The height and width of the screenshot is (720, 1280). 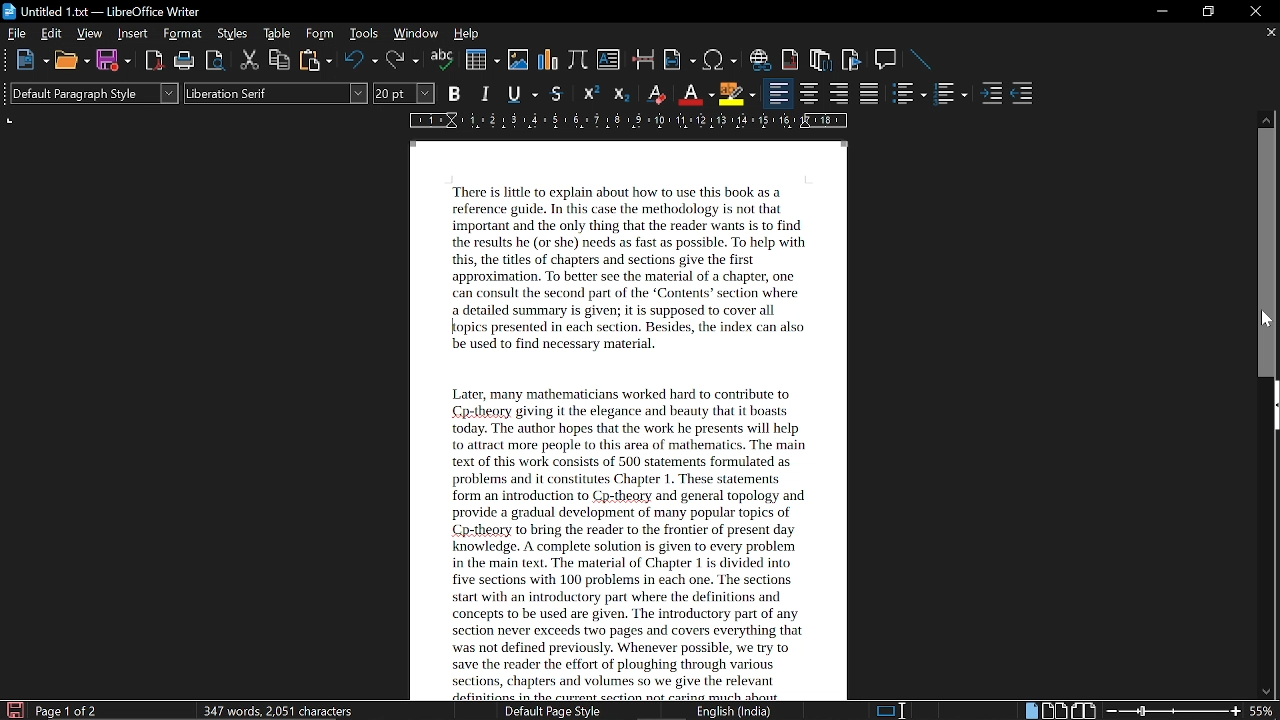 I want to click on insert formula, so click(x=578, y=62).